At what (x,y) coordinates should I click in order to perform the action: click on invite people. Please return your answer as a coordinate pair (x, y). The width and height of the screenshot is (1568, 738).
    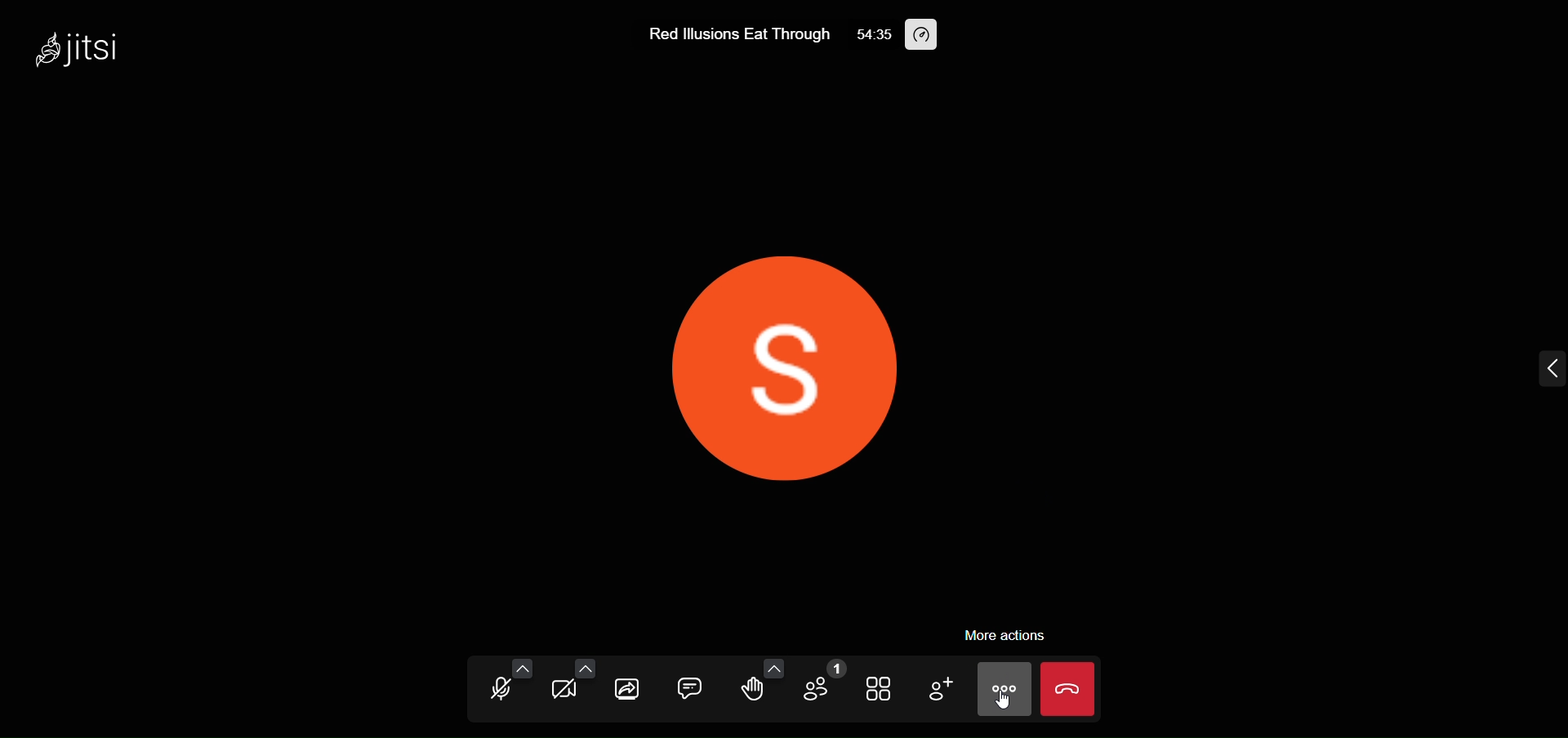
    Looking at the image, I should click on (940, 688).